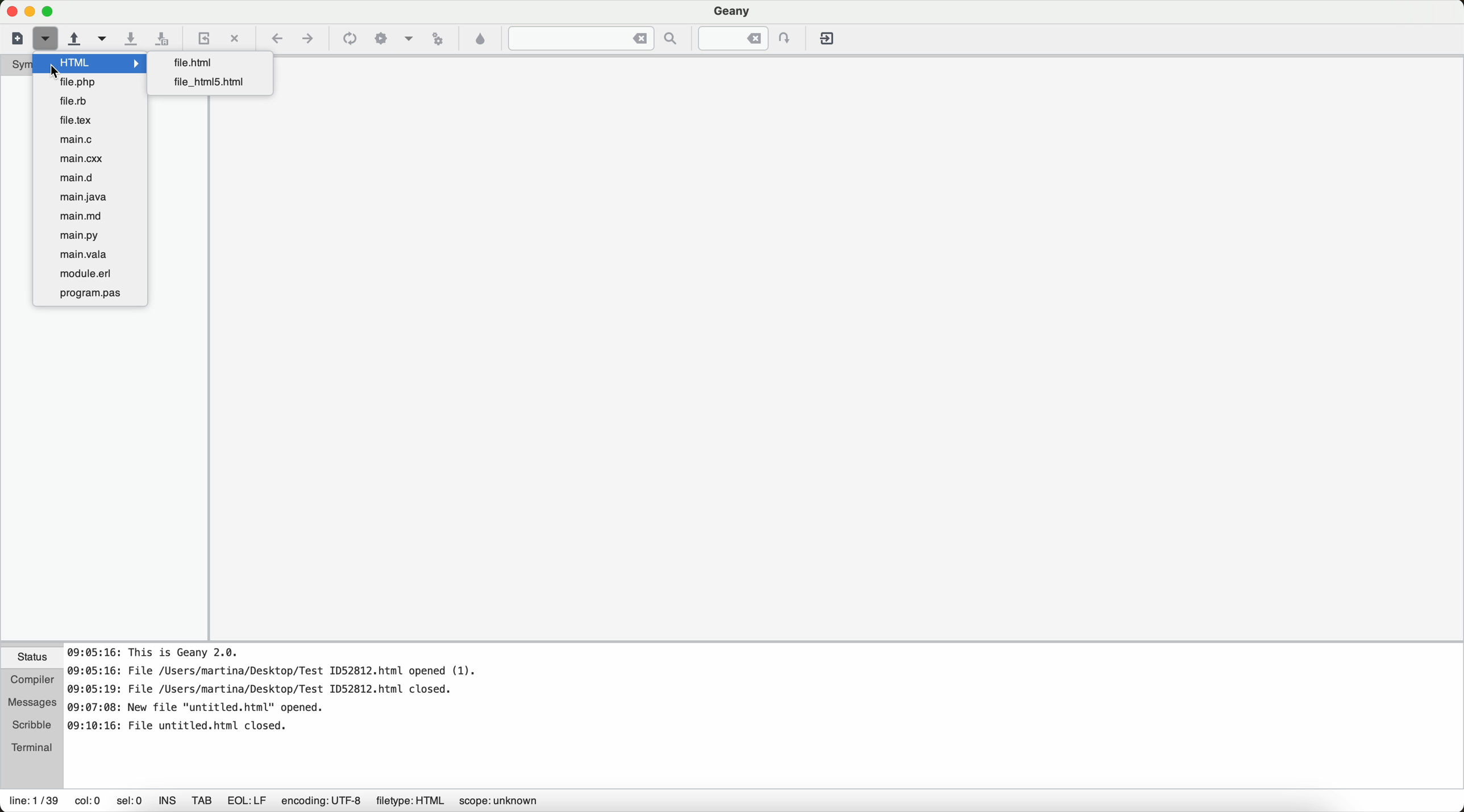 This screenshot has width=1464, height=812. I want to click on compiler, so click(30, 680).